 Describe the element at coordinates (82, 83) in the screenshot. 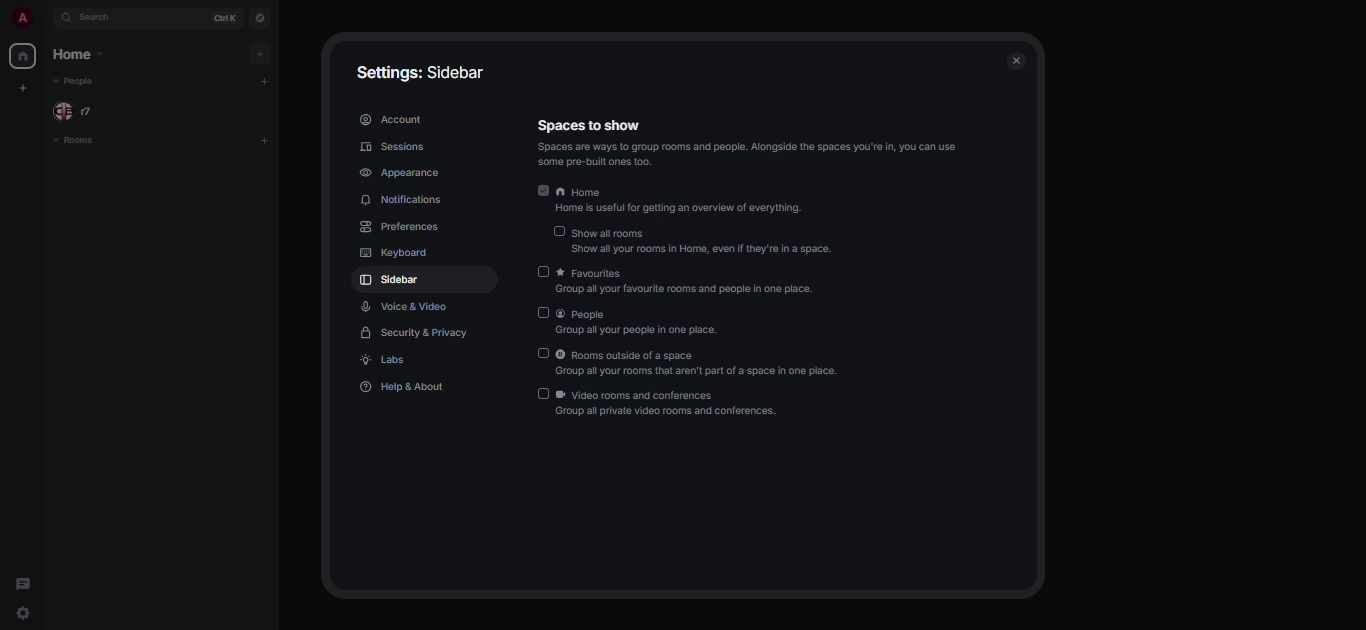

I see `people` at that location.